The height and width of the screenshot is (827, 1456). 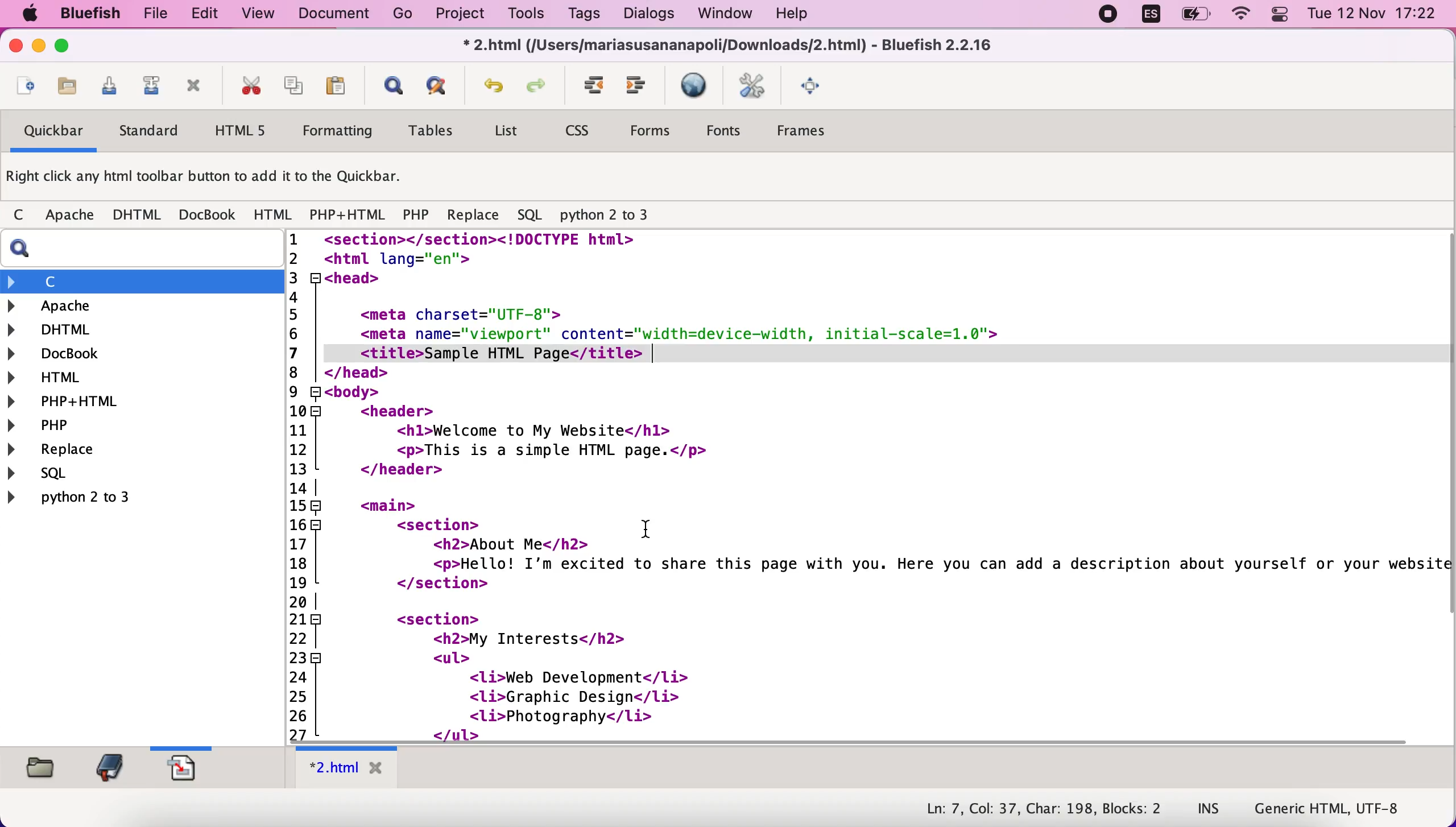 What do you see at coordinates (758, 87) in the screenshot?
I see `Edit preferences` at bounding box center [758, 87].